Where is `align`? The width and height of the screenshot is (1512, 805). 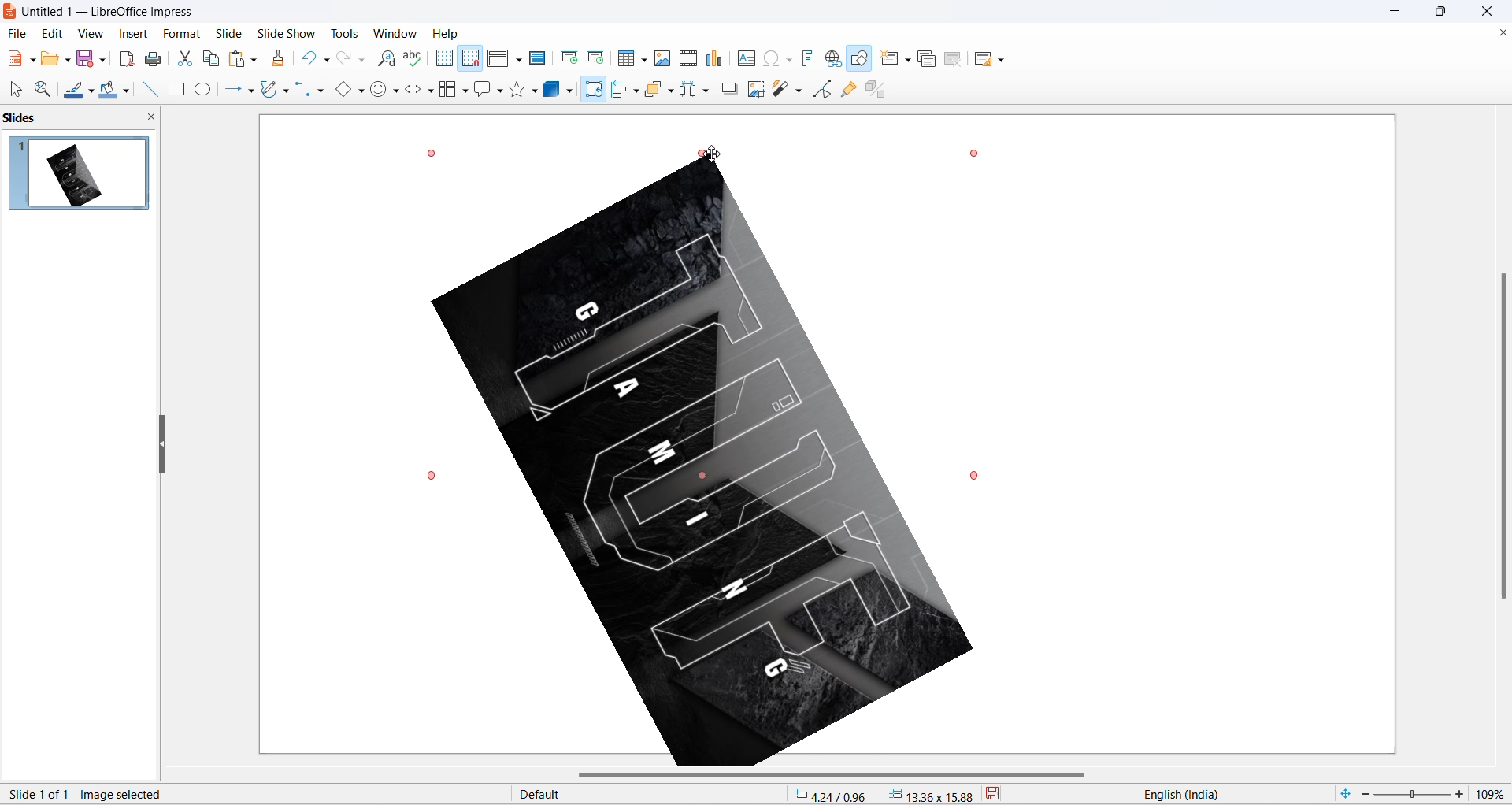
align is located at coordinates (621, 90).